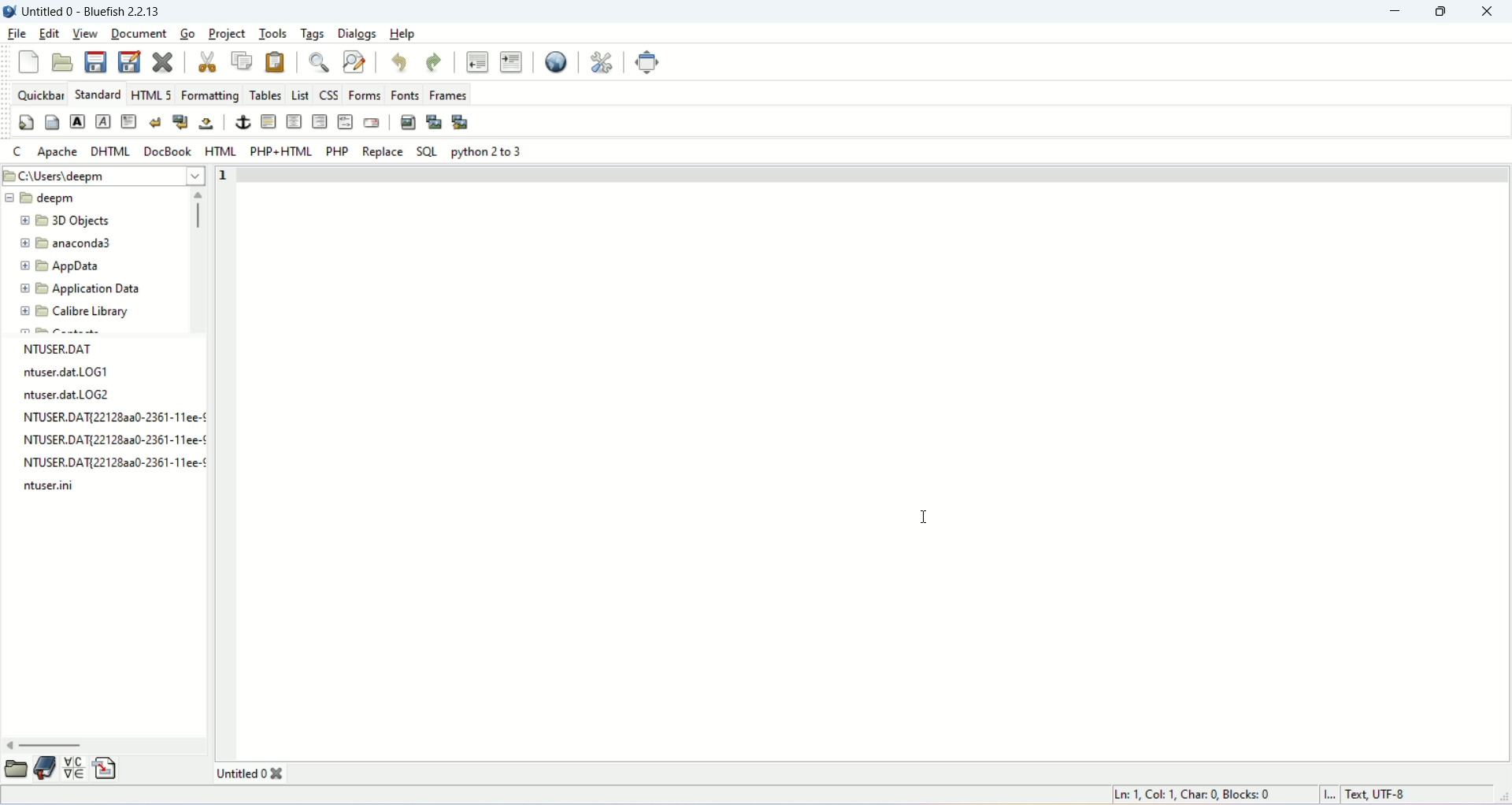  I want to click on close current file, so click(164, 60).